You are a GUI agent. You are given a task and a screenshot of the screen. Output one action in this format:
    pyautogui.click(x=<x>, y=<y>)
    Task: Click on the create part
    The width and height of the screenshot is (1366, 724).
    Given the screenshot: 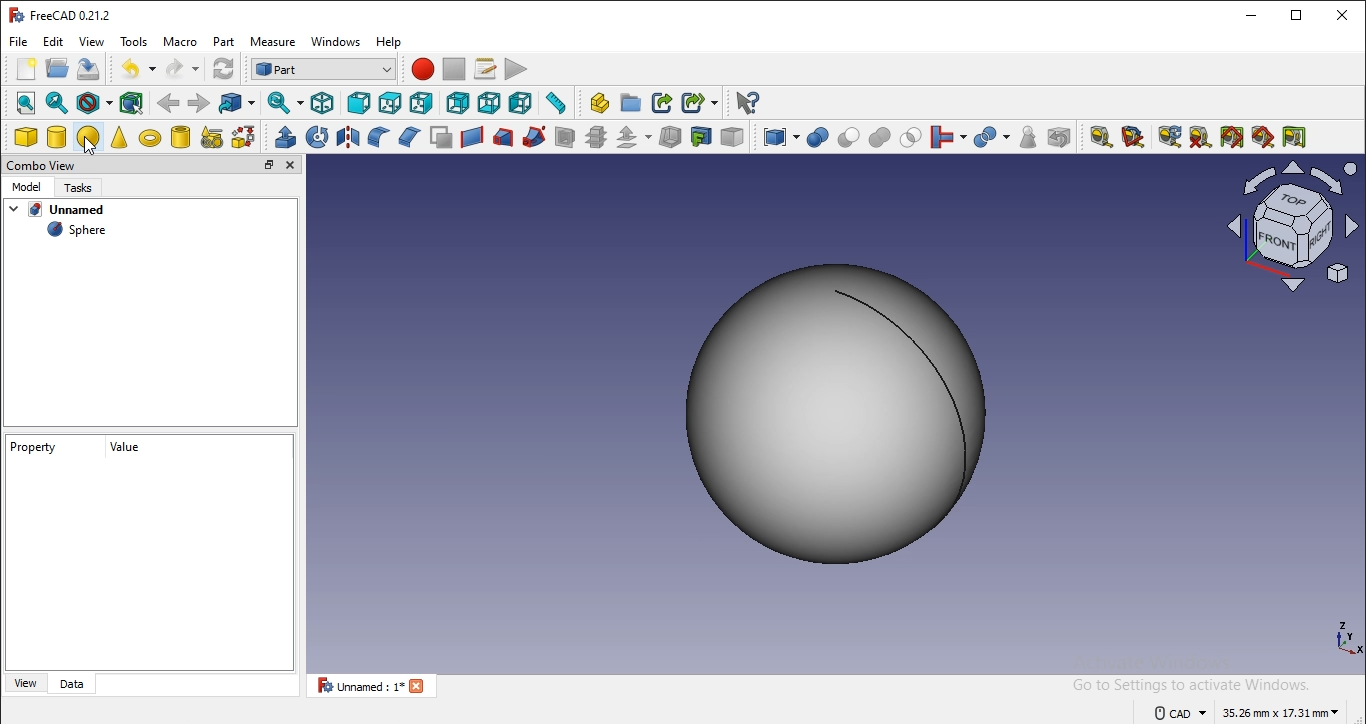 What is the action you would take?
    pyautogui.click(x=599, y=103)
    